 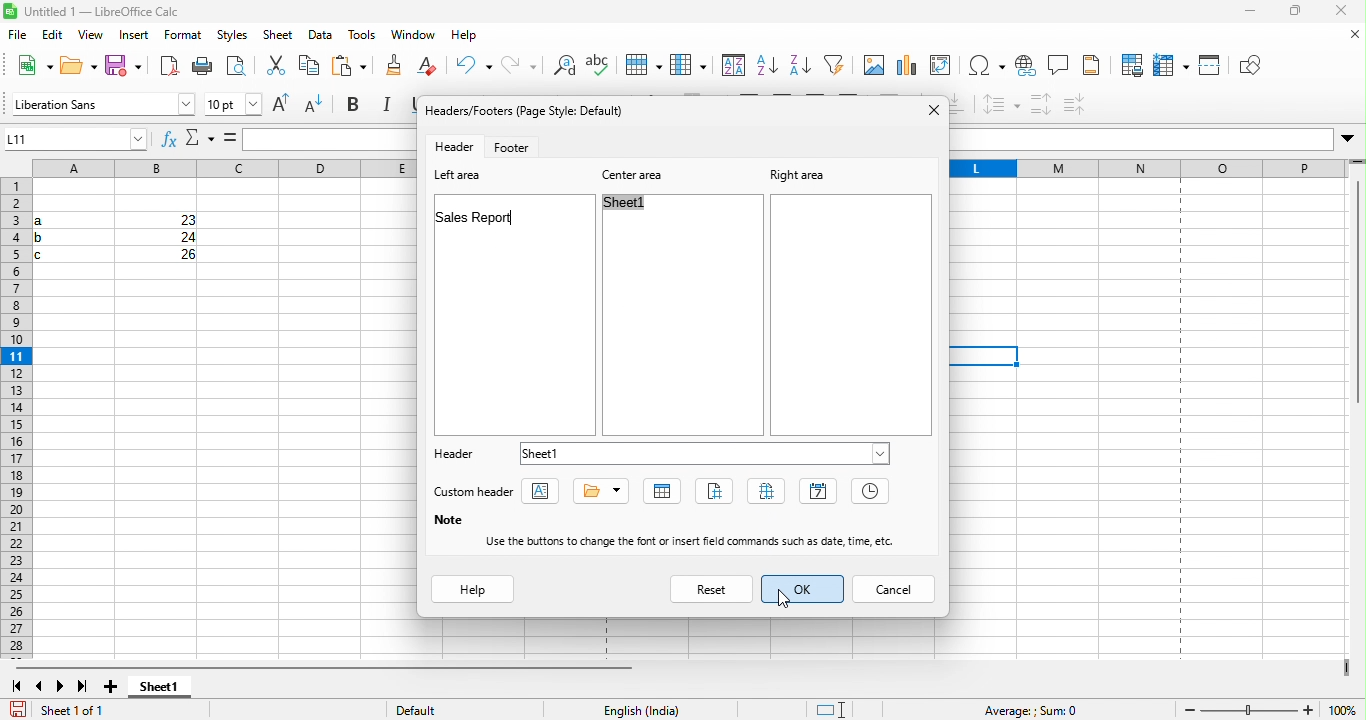 What do you see at coordinates (532, 111) in the screenshot?
I see `headers/footers` at bounding box center [532, 111].